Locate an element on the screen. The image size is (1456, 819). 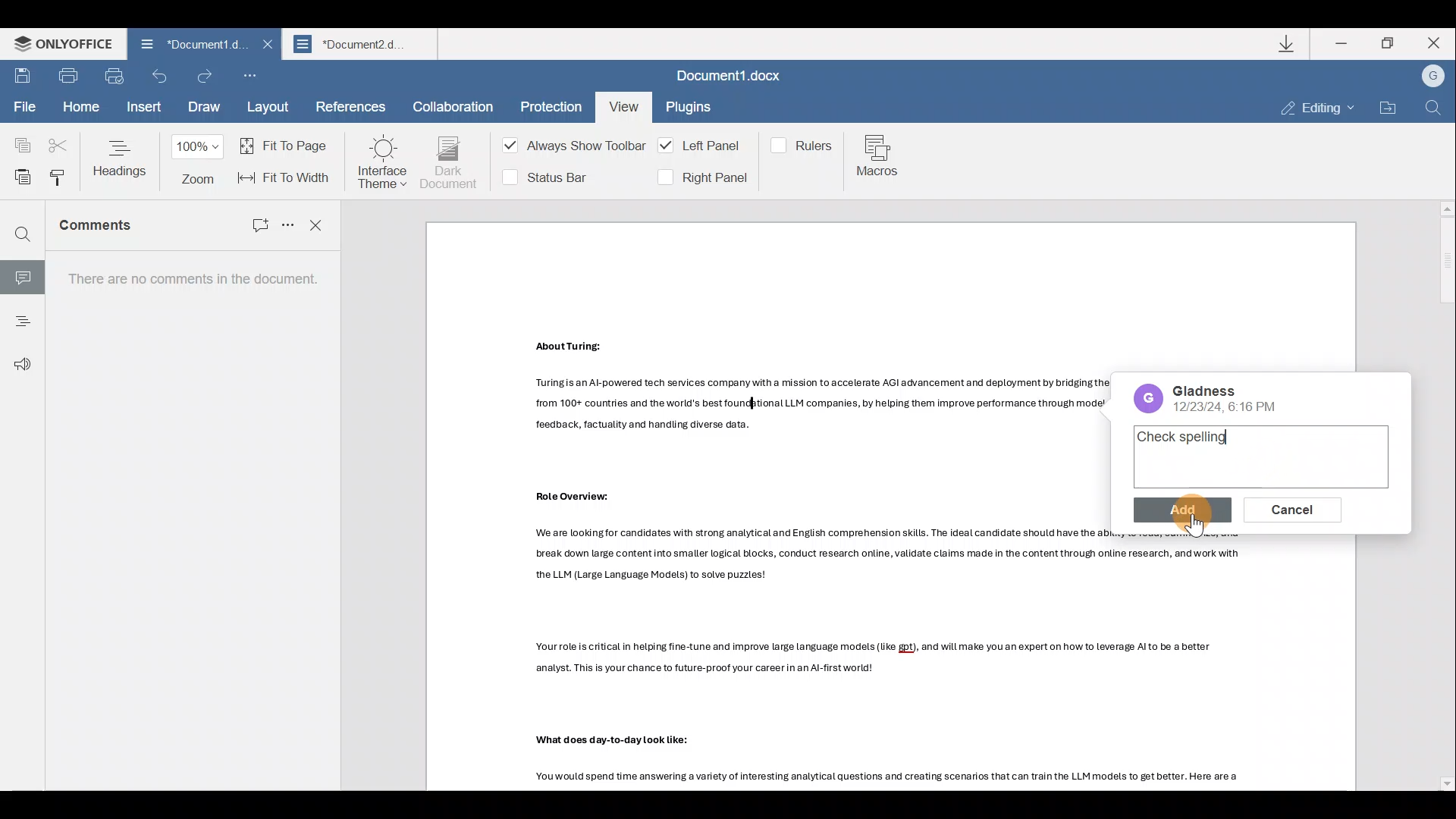
Paste is located at coordinates (18, 174).